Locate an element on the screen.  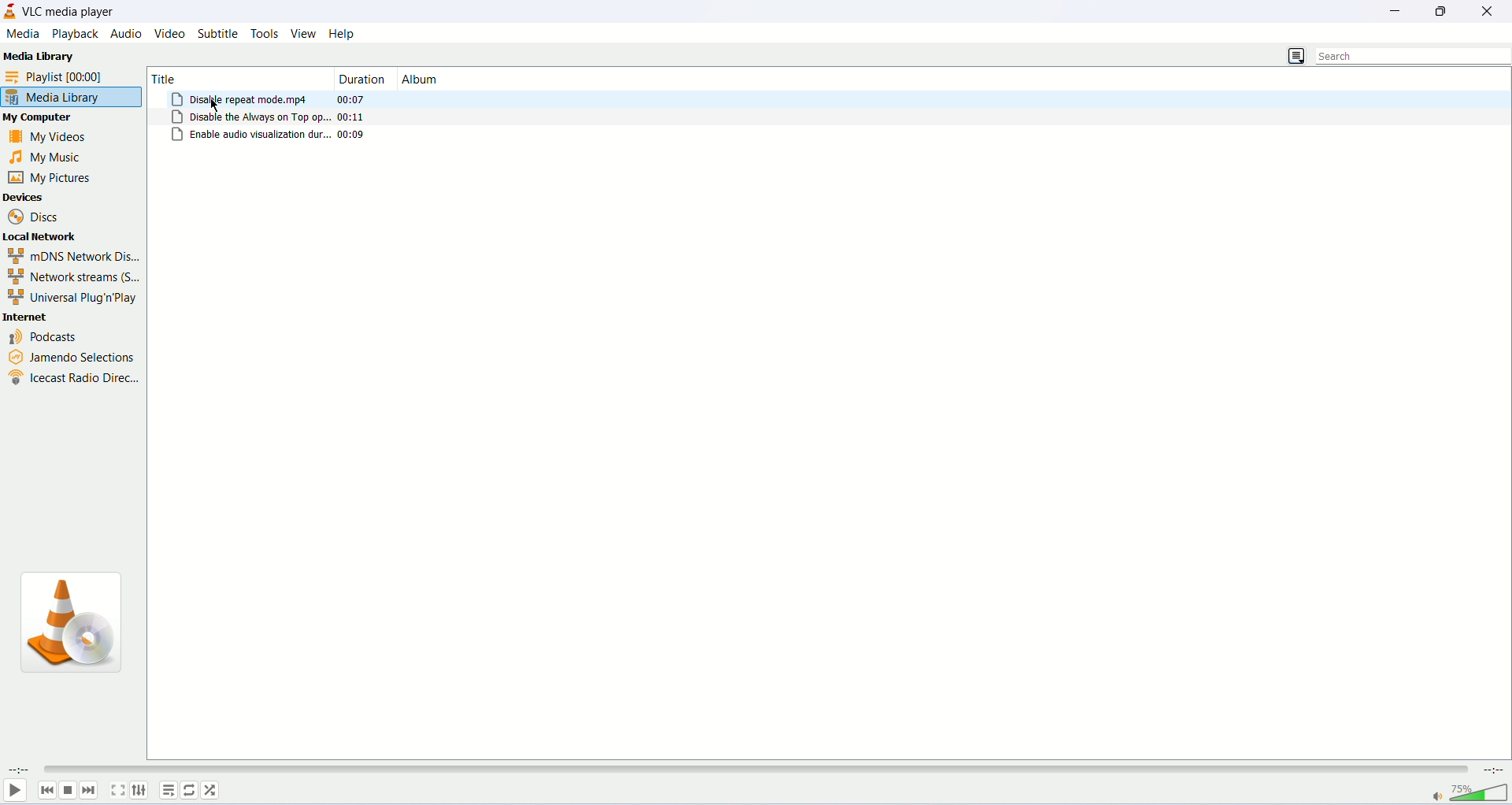
toggle loop is located at coordinates (188, 791).